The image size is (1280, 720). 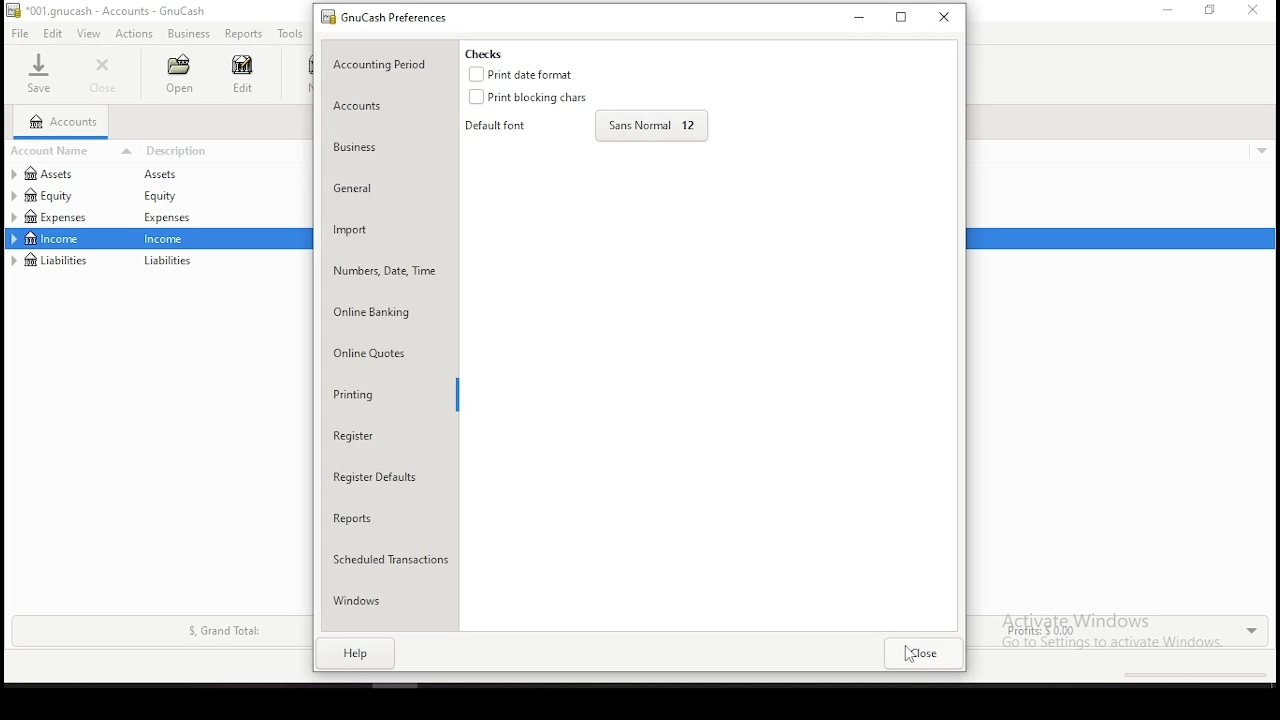 What do you see at coordinates (19, 34) in the screenshot?
I see `file` at bounding box center [19, 34].